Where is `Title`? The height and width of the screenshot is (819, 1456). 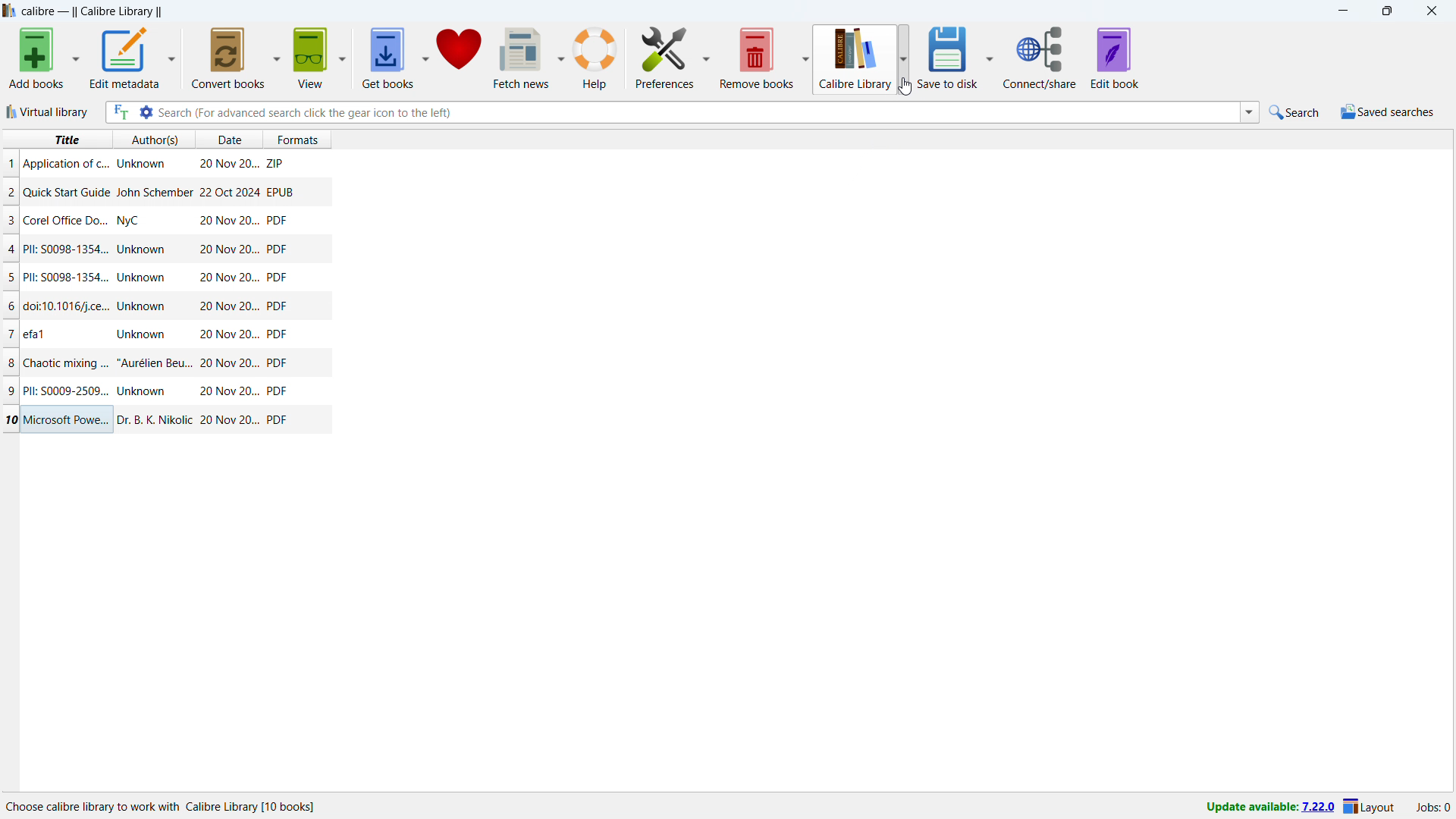 Title is located at coordinates (65, 164).